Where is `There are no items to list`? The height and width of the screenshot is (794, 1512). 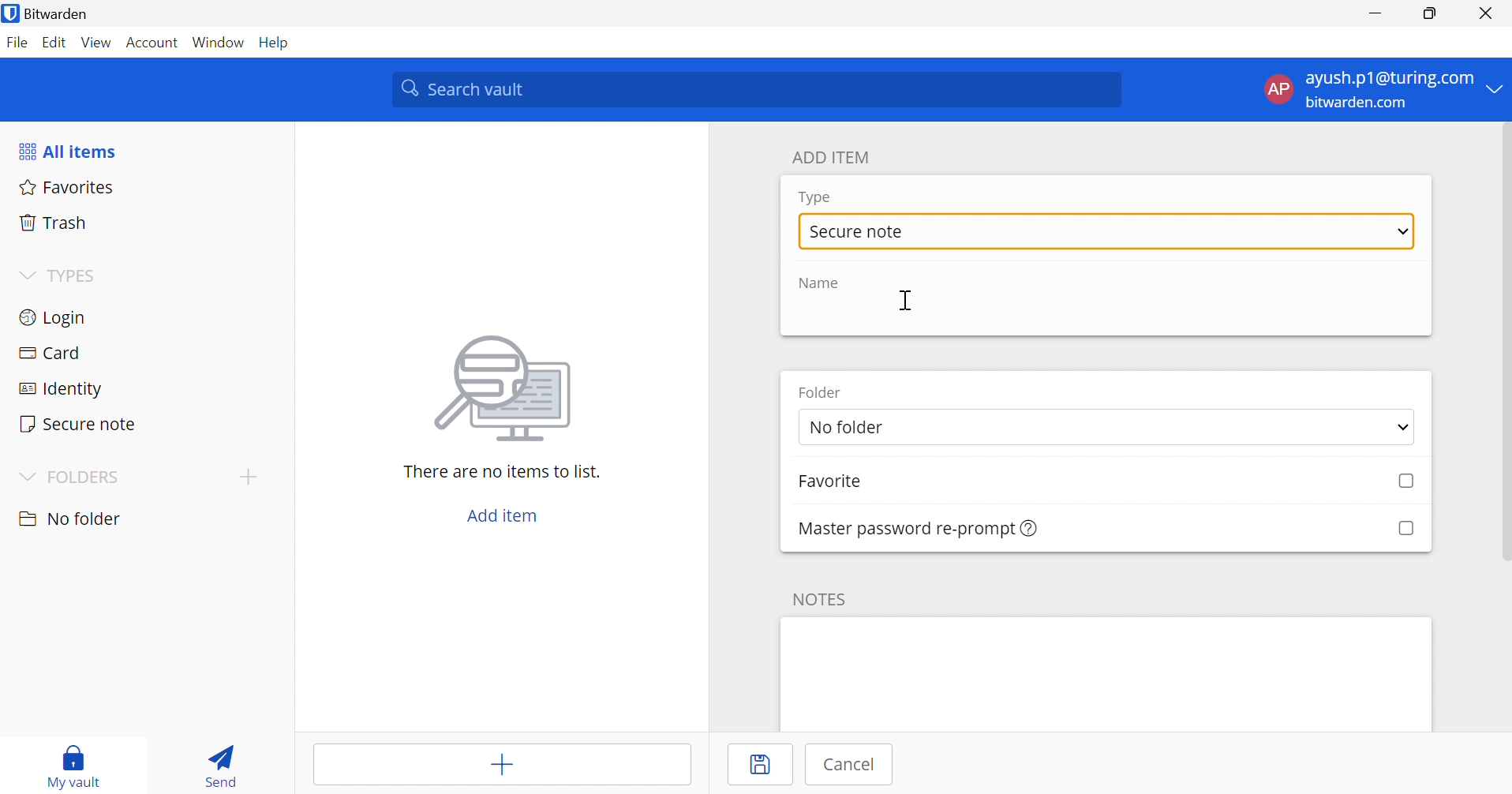 There are no items to list is located at coordinates (501, 472).